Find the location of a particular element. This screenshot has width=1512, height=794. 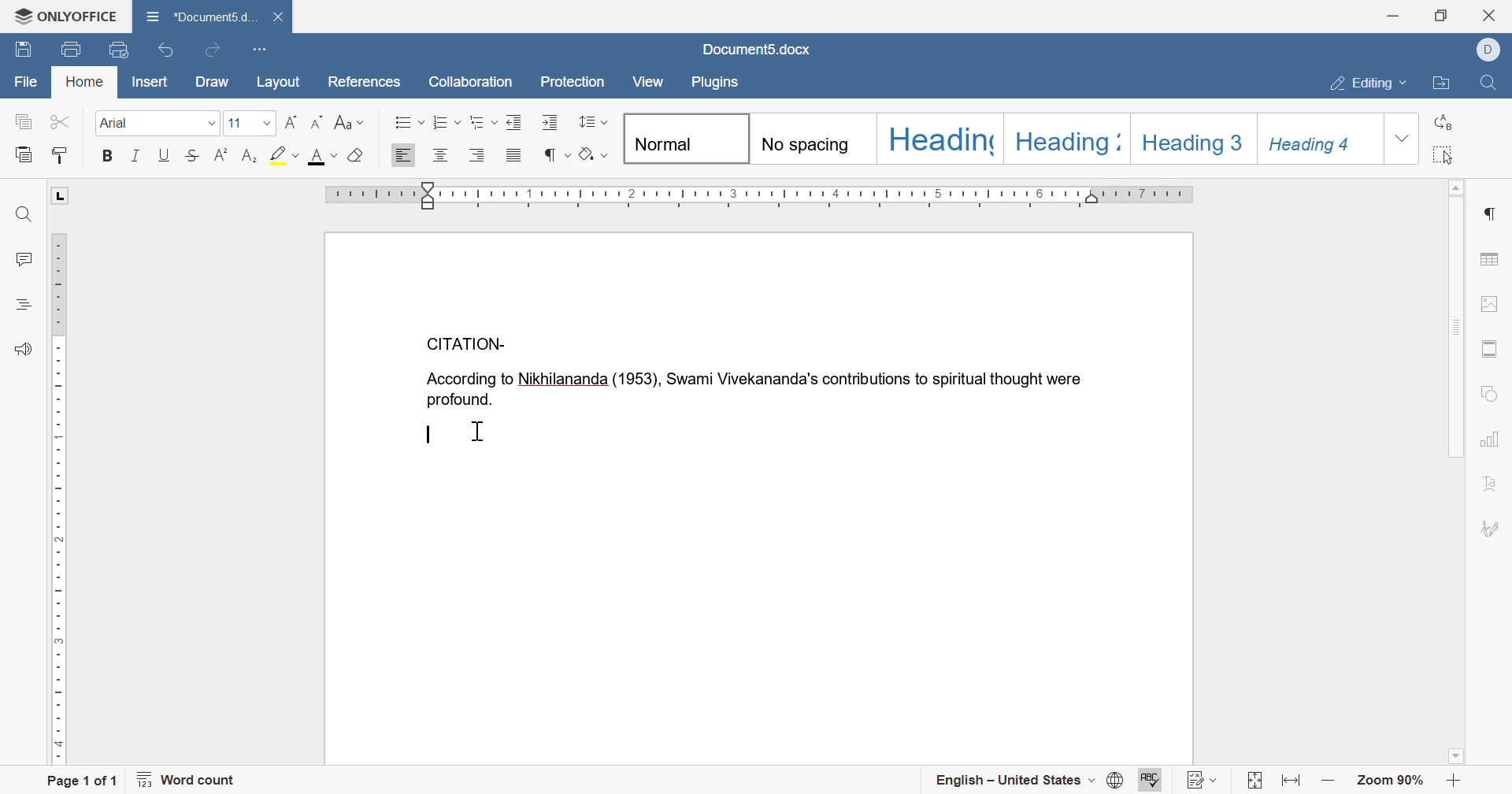

zoom 90% is located at coordinates (1391, 782).